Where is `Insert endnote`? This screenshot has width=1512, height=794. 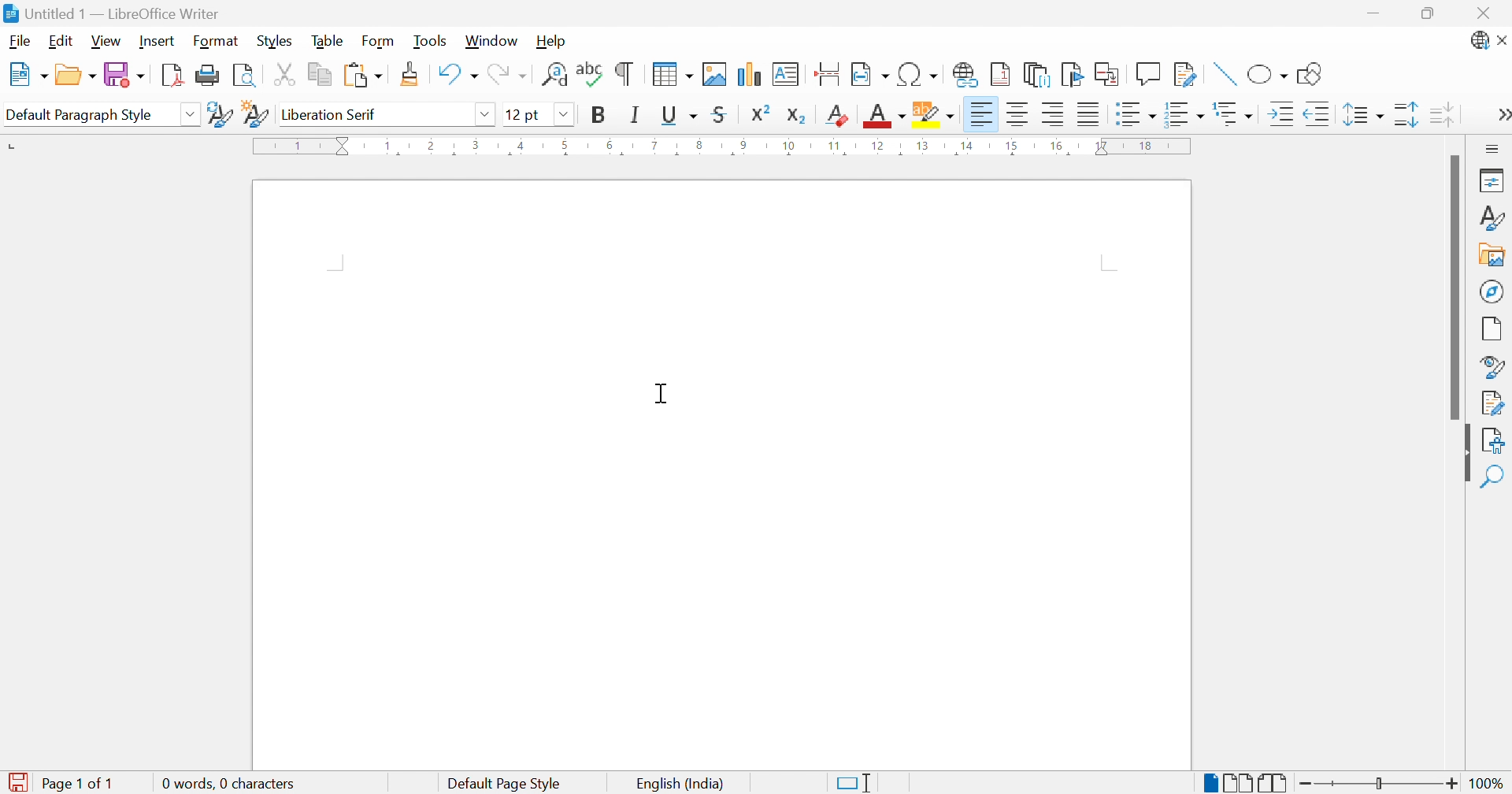
Insert endnote is located at coordinates (1037, 75).